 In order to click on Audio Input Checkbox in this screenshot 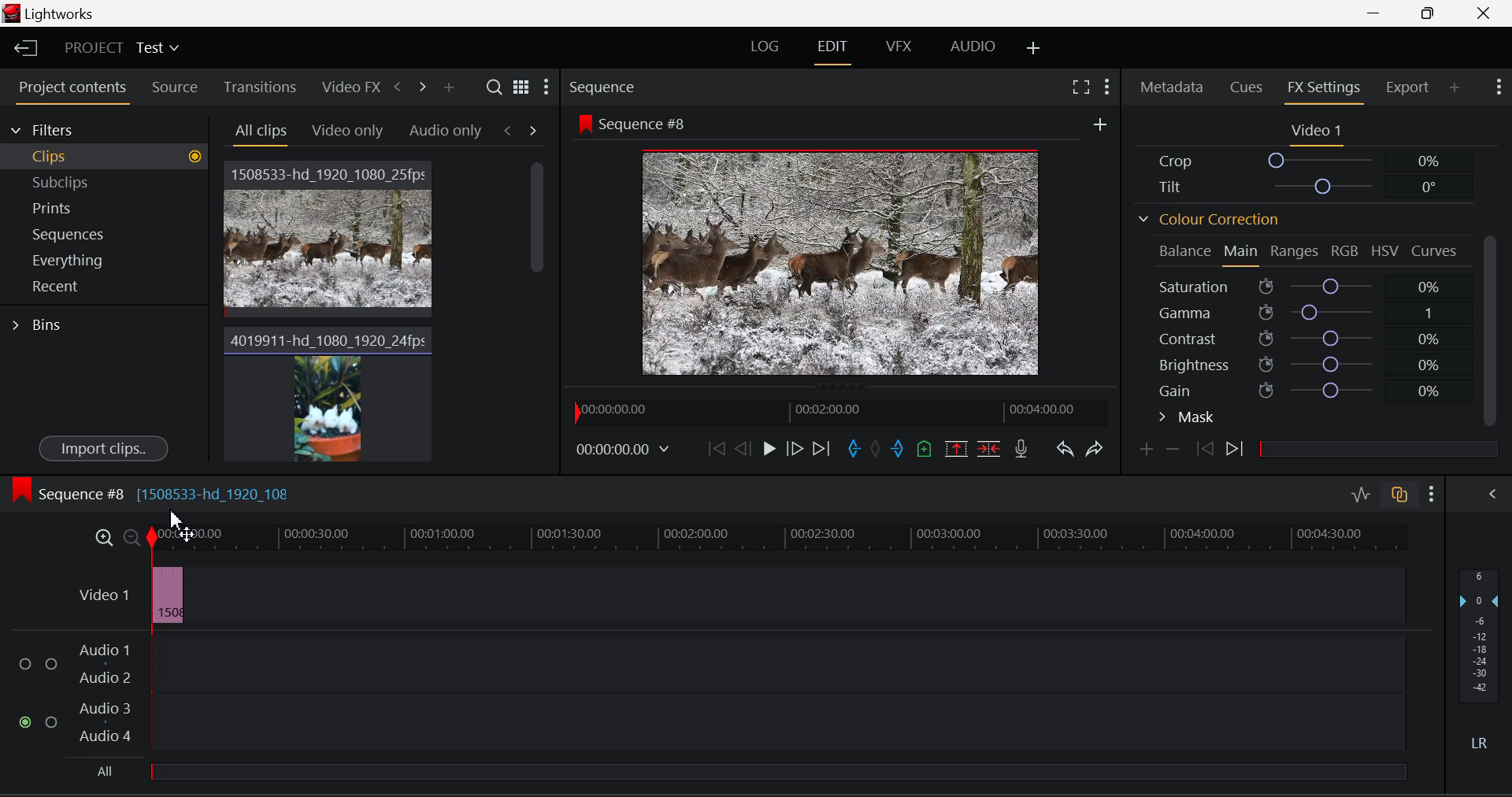, I will do `click(51, 723)`.